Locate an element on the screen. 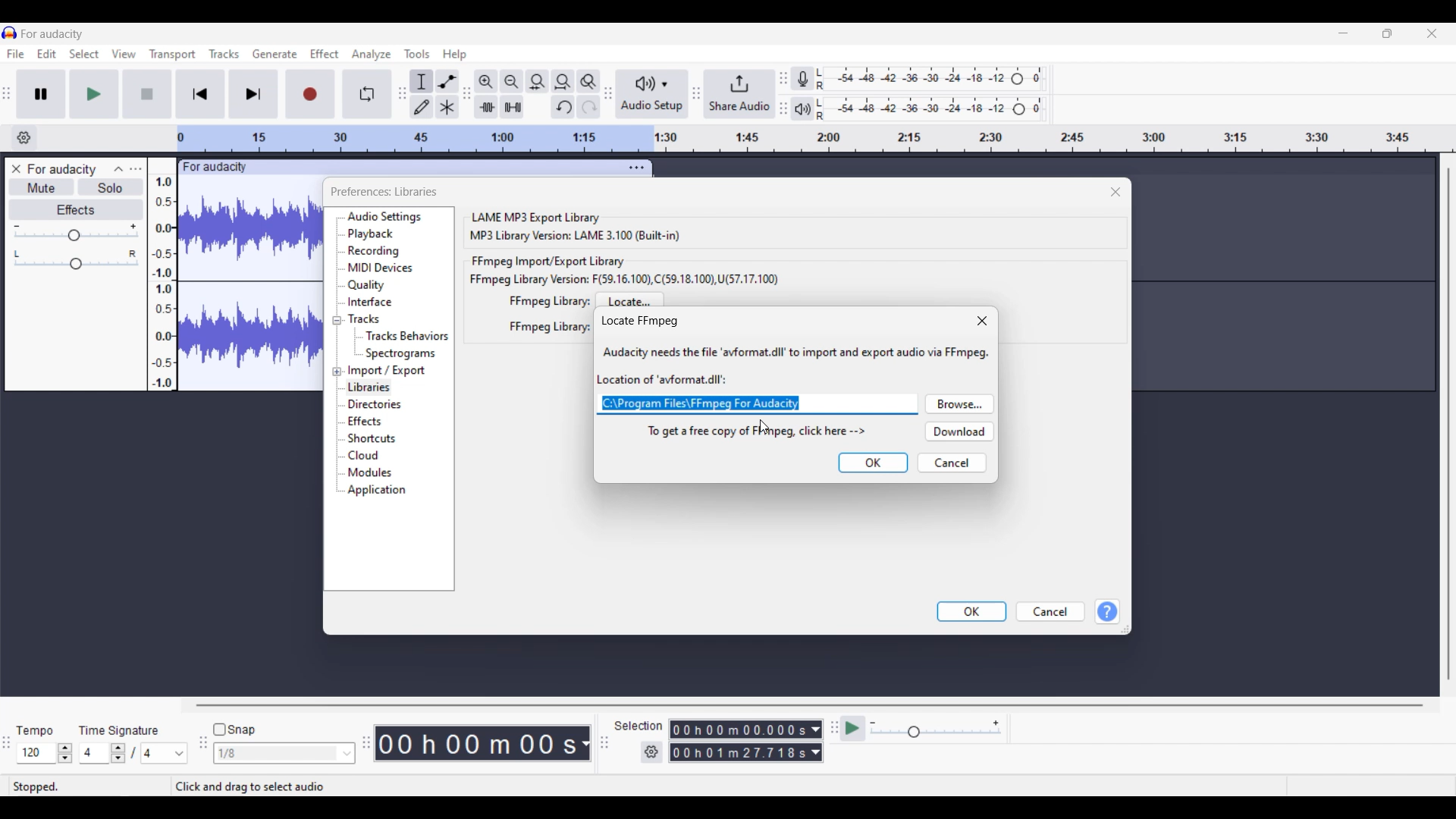  Multi tool is located at coordinates (447, 107).